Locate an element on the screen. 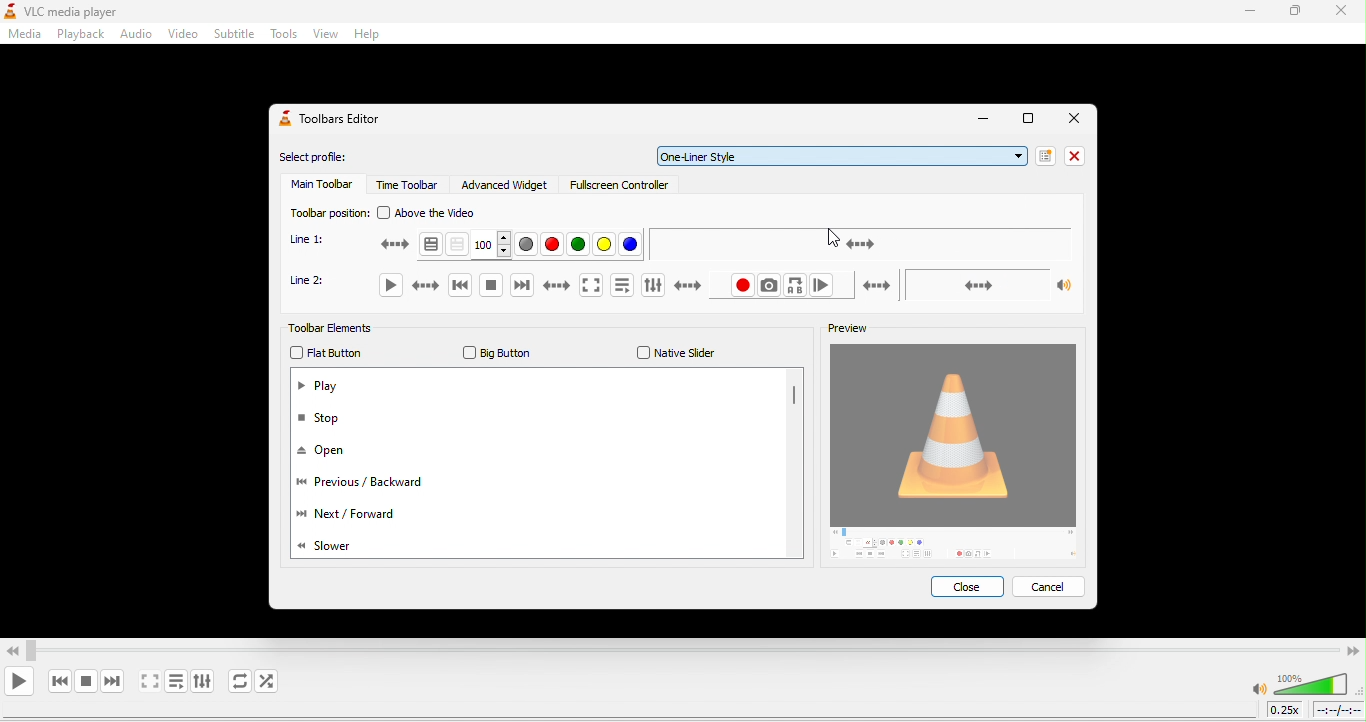 This screenshot has height=722, width=1366. toggle video in  full screen is located at coordinates (147, 683).